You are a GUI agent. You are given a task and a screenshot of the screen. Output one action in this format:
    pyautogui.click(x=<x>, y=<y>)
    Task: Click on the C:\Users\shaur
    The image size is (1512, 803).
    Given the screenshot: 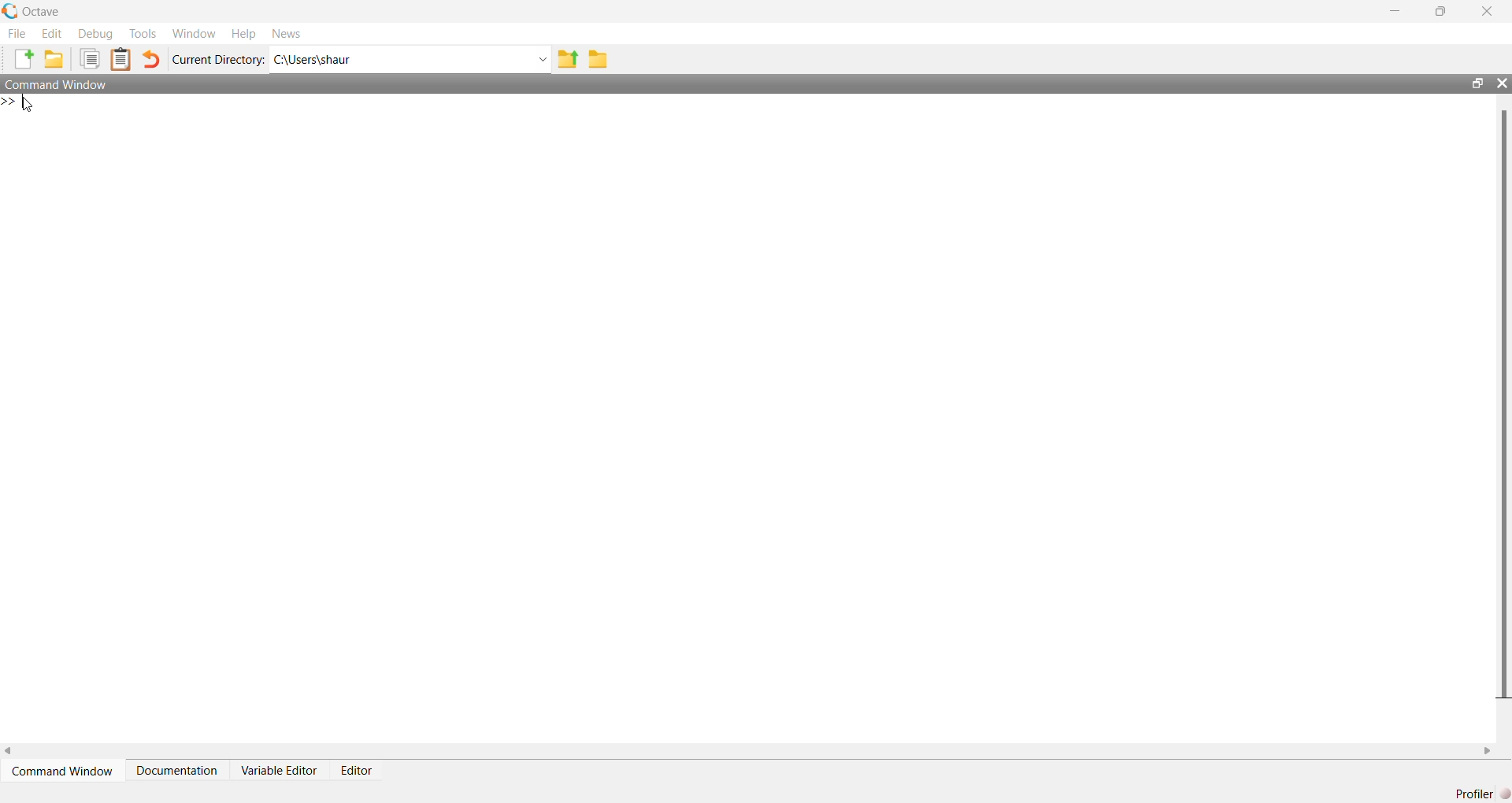 What is the action you would take?
    pyautogui.click(x=313, y=60)
    